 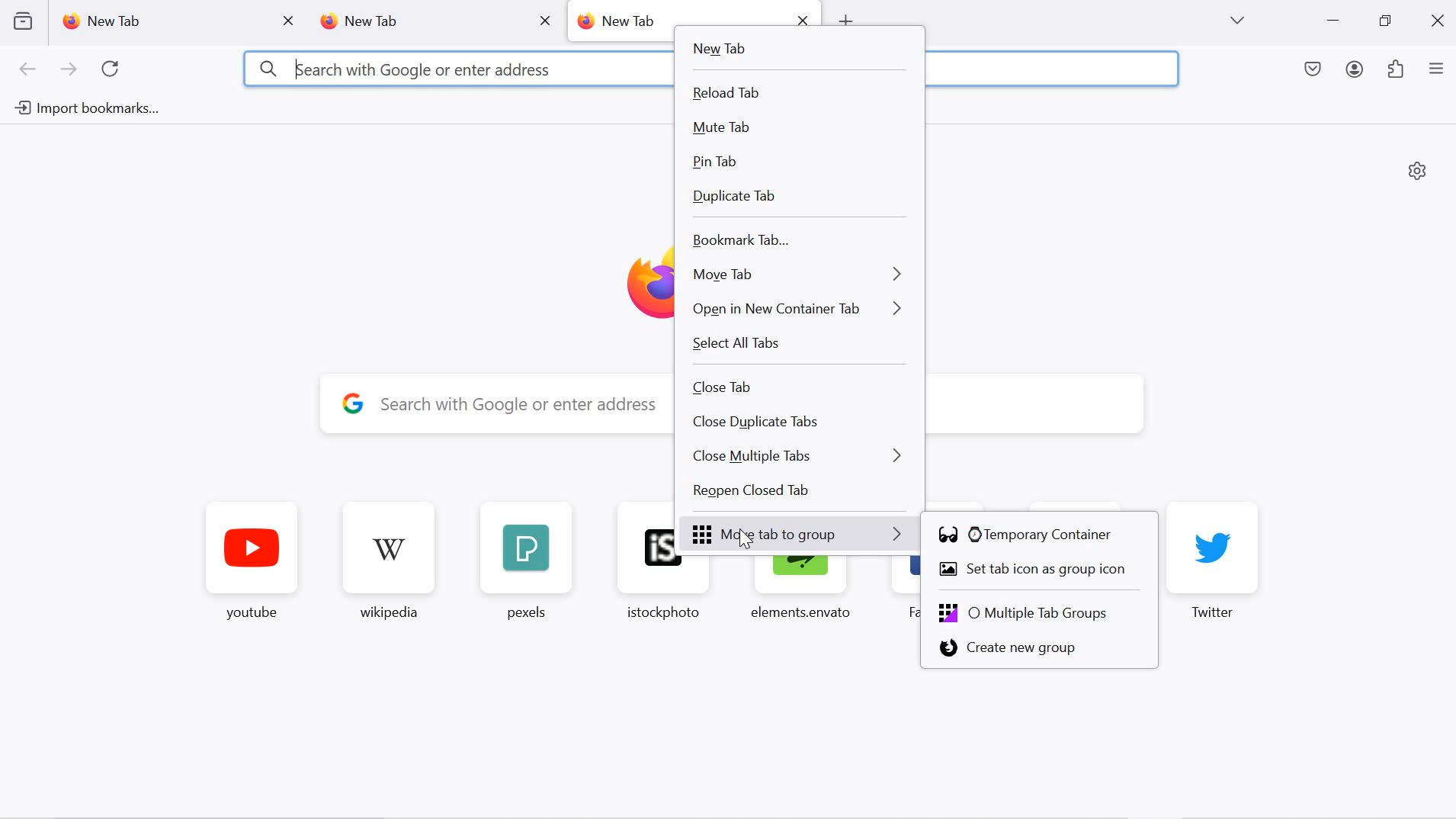 What do you see at coordinates (643, 283) in the screenshot?
I see `Firefox logo` at bounding box center [643, 283].